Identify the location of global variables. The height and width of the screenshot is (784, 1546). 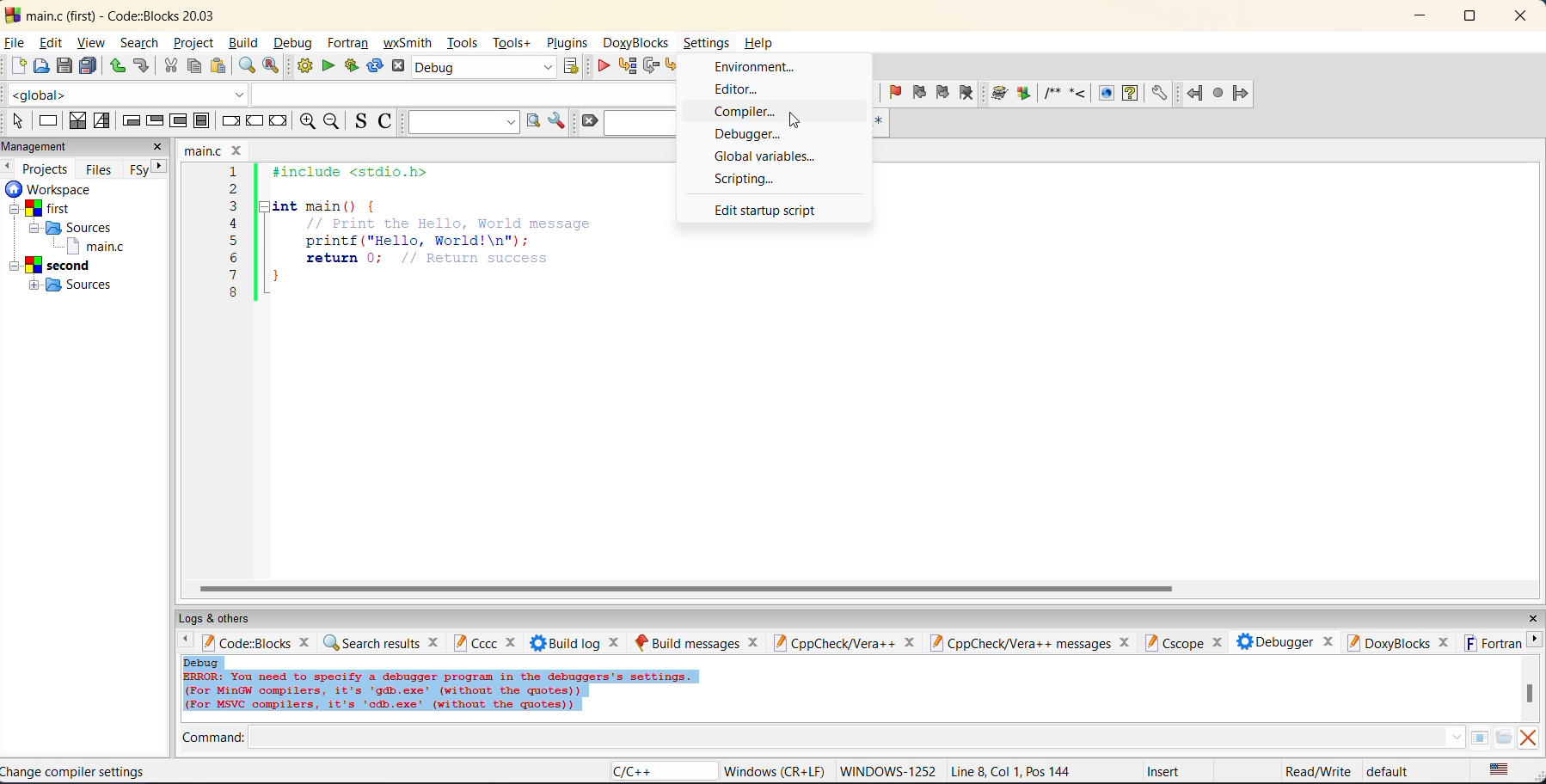
(764, 156).